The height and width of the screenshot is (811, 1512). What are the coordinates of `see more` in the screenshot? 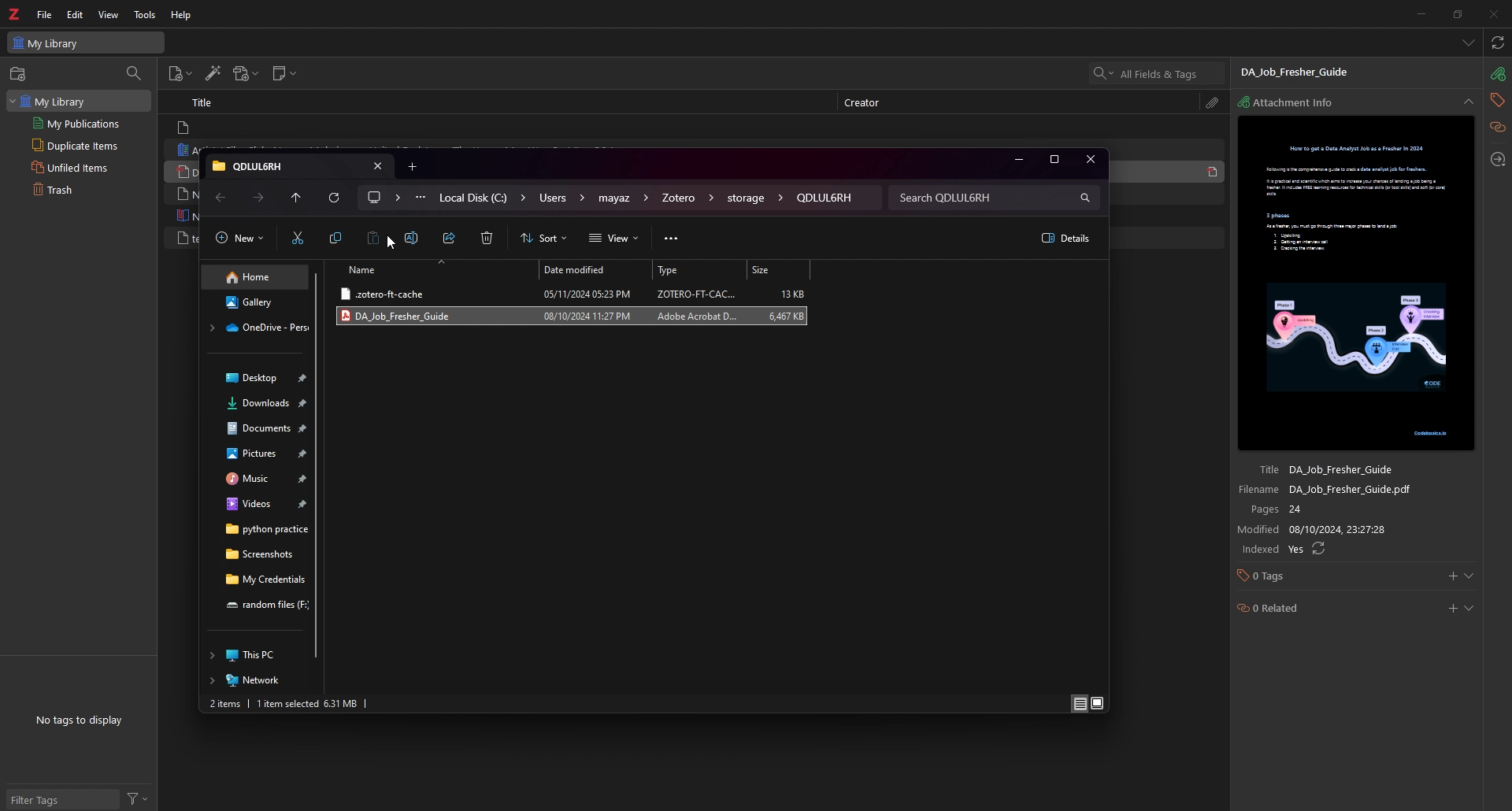 It's located at (673, 240).